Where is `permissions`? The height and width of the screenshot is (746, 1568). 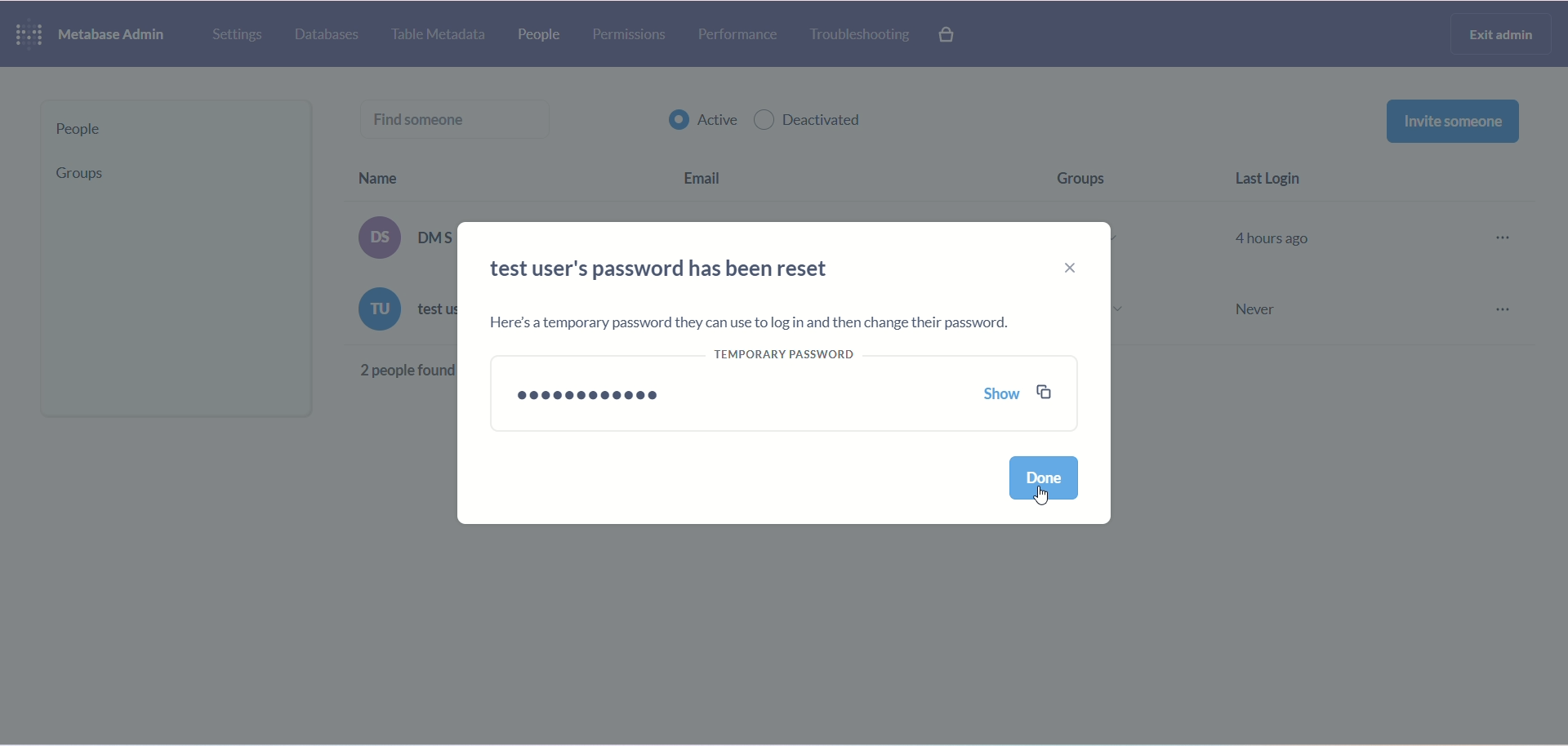
permissions is located at coordinates (634, 36).